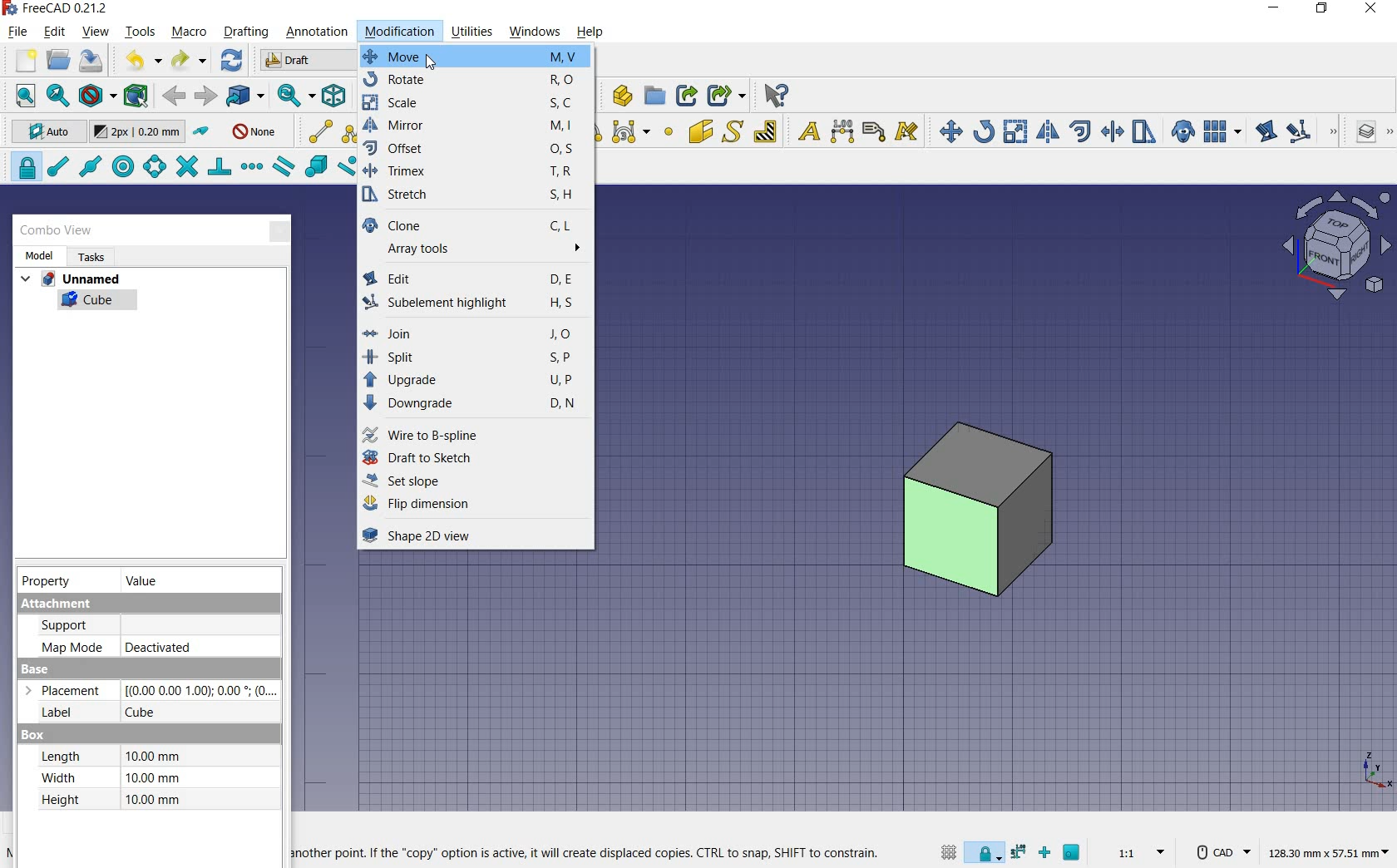 The height and width of the screenshot is (868, 1397). Describe the element at coordinates (654, 96) in the screenshot. I see `create group` at that location.